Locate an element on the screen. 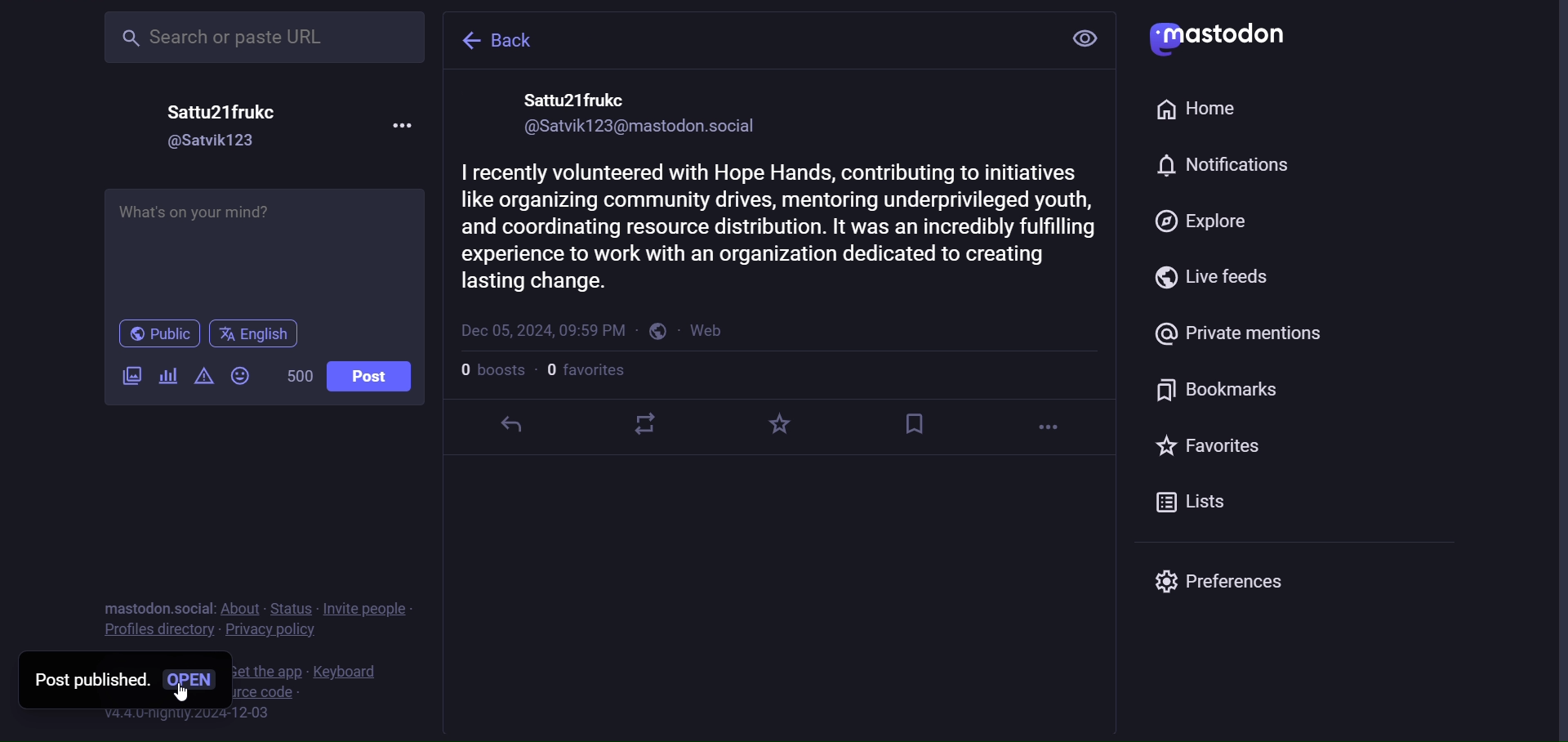 The image size is (1568, 742). name is located at coordinates (578, 100).